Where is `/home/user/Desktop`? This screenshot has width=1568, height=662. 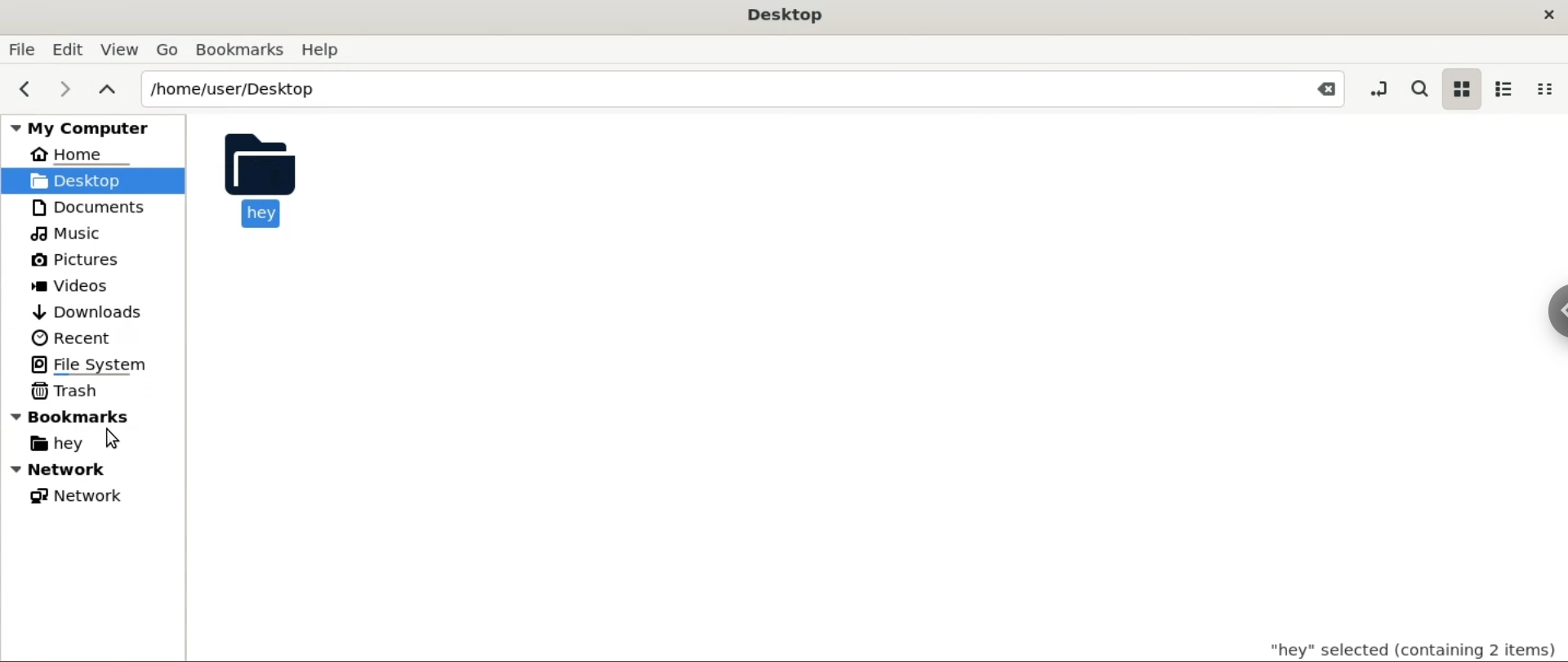
/home/user/Desktop is located at coordinates (711, 88).